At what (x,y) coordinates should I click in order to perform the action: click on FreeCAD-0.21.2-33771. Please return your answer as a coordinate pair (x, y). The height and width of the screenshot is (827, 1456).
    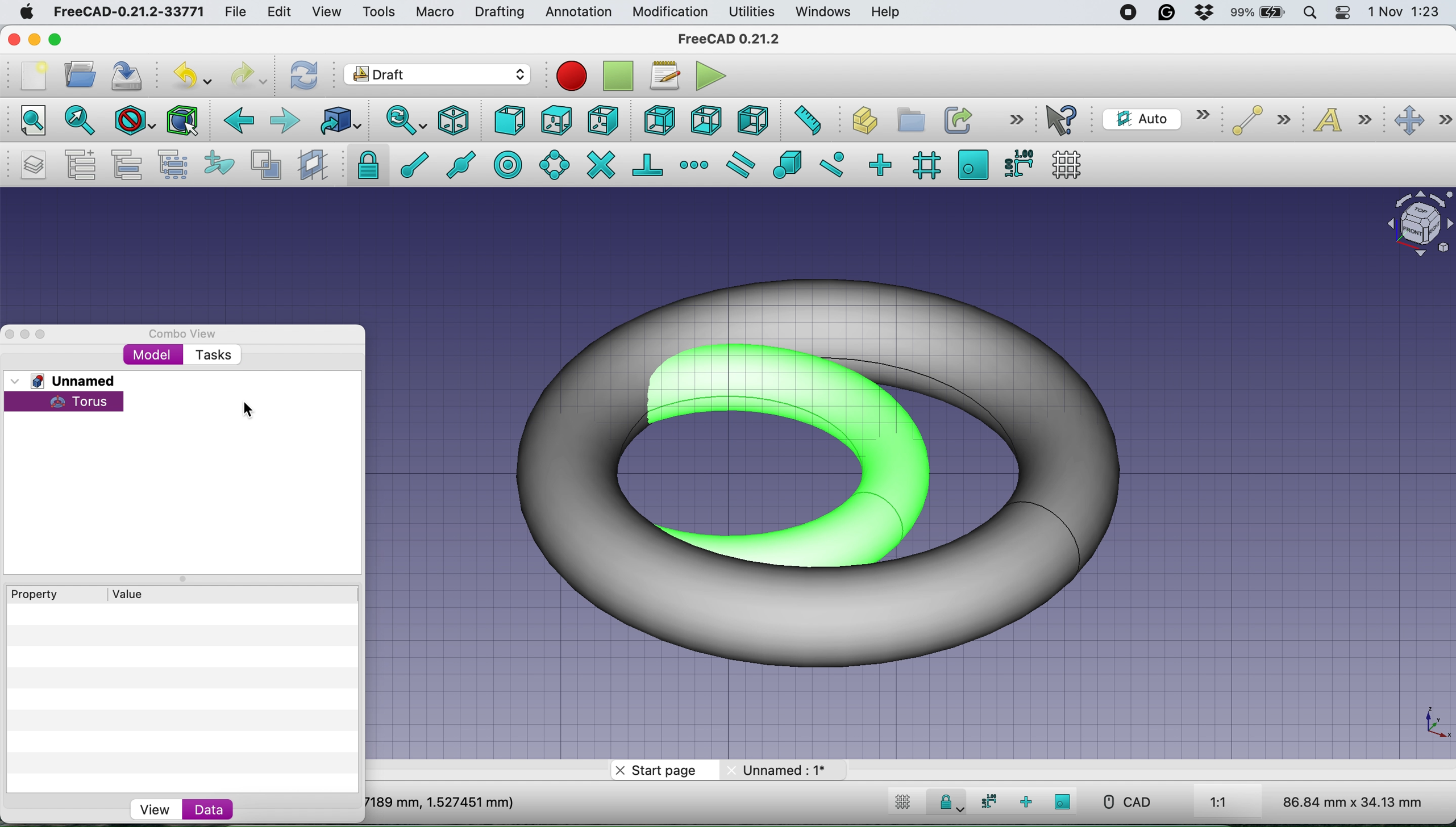
    Looking at the image, I should click on (130, 11).